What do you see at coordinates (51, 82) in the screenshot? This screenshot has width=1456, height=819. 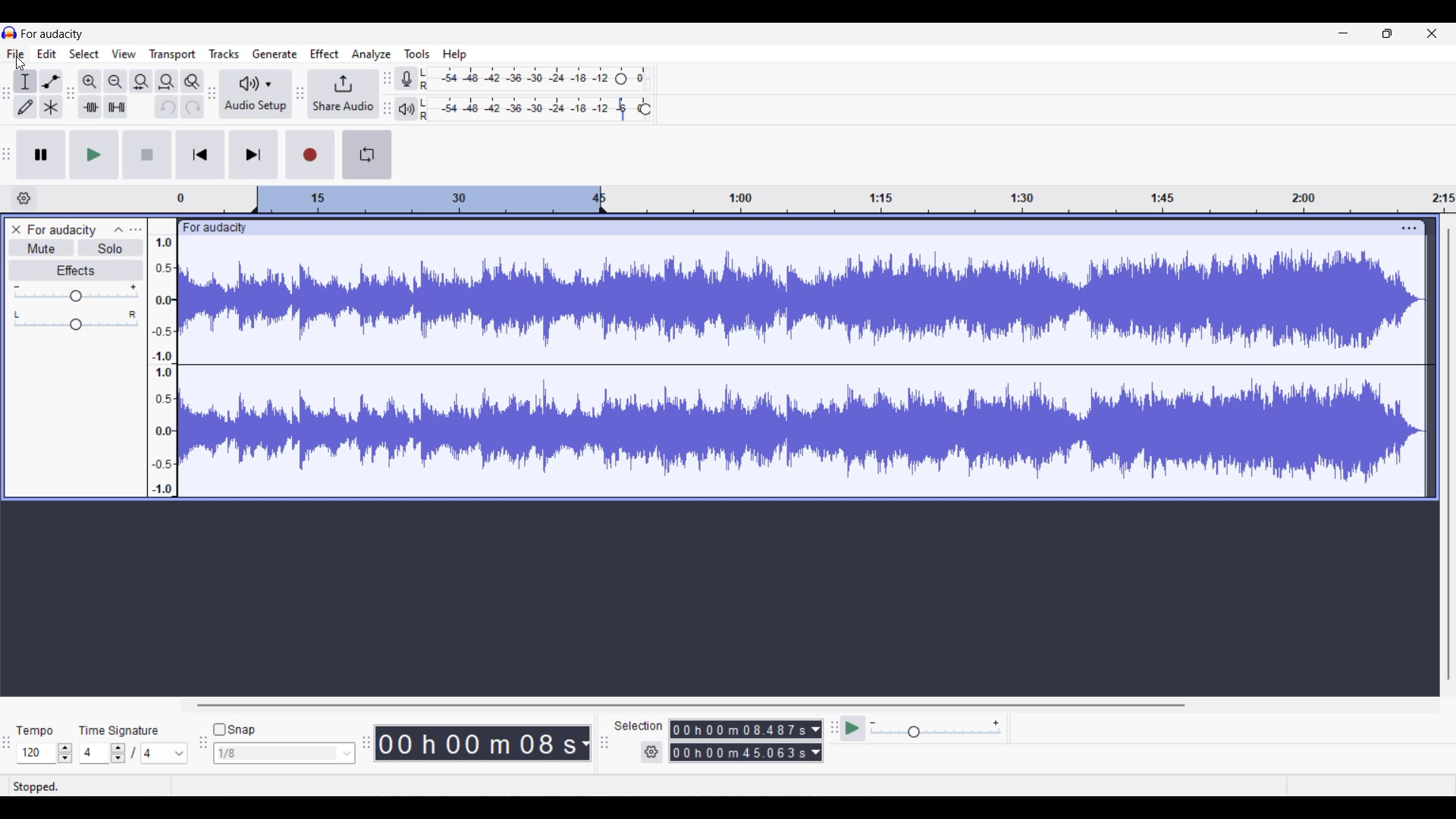 I see `Envelop tool` at bounding box center [51, 82].